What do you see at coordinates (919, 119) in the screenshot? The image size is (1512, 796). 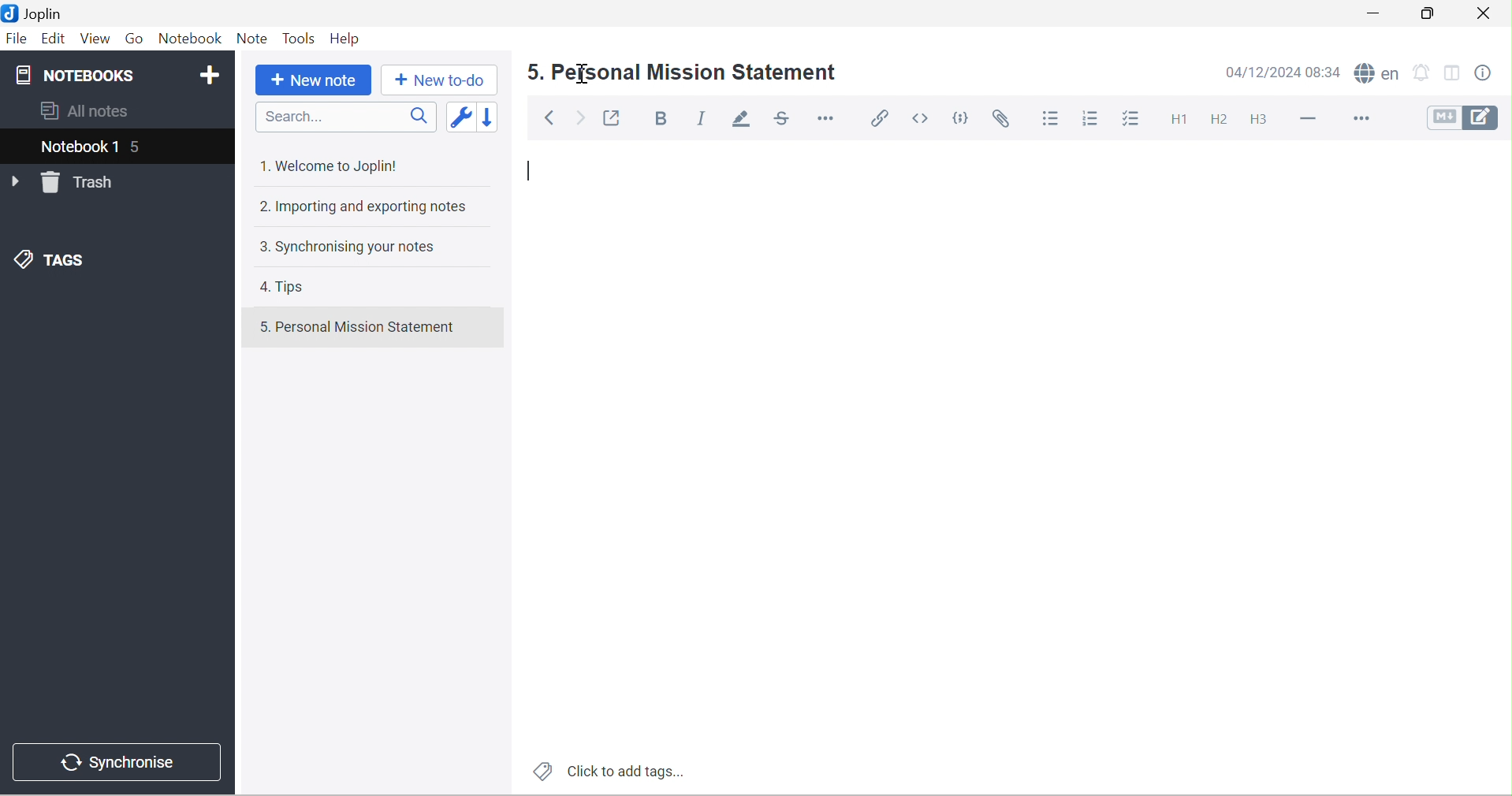 I see `Inline code` at bounding box center [919, 119].